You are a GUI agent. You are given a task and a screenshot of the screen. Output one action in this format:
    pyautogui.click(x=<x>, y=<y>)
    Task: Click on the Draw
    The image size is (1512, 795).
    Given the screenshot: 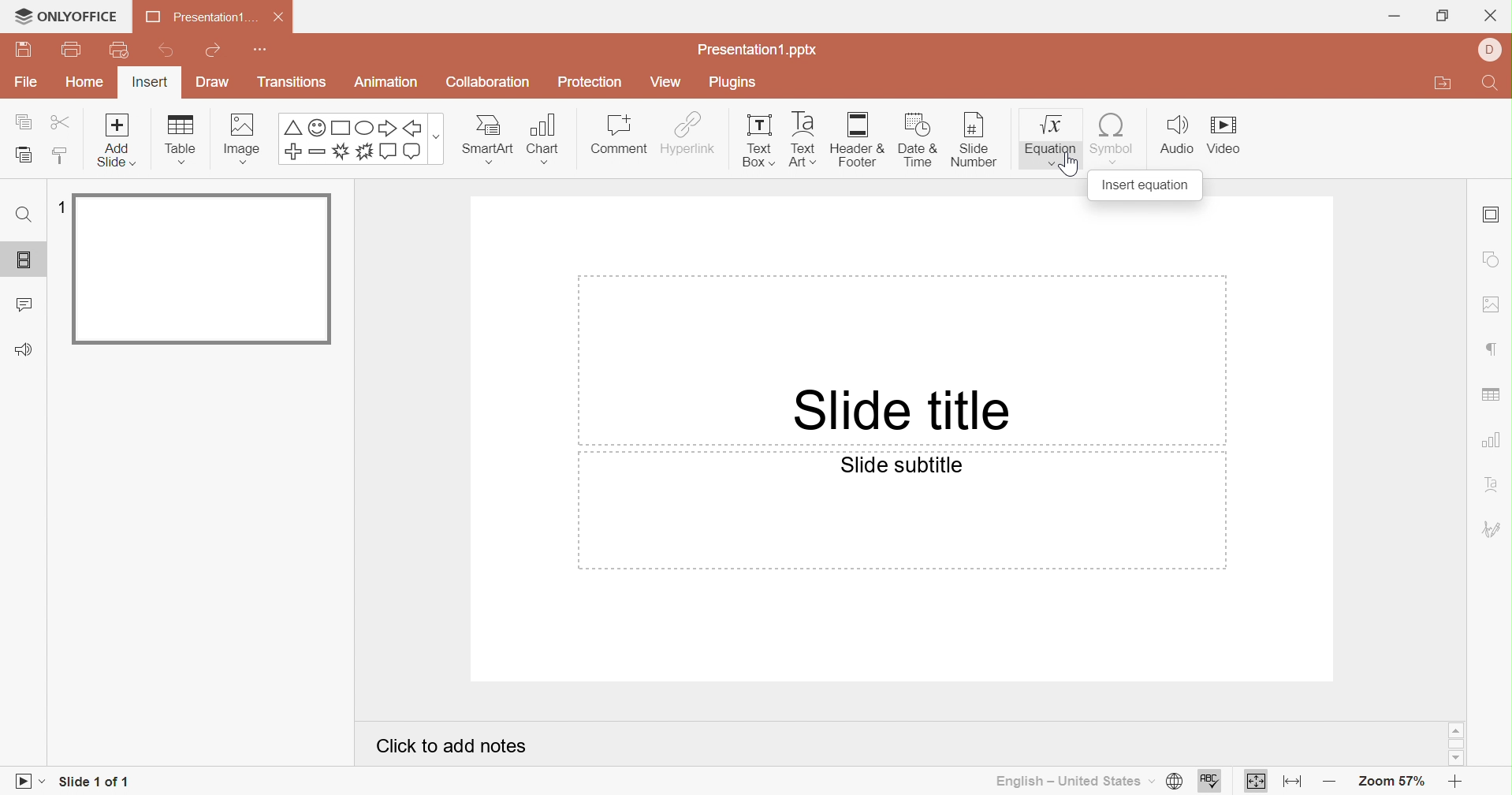 What is the action you would take?
    pyautogui.click(x=213, y=84)
    